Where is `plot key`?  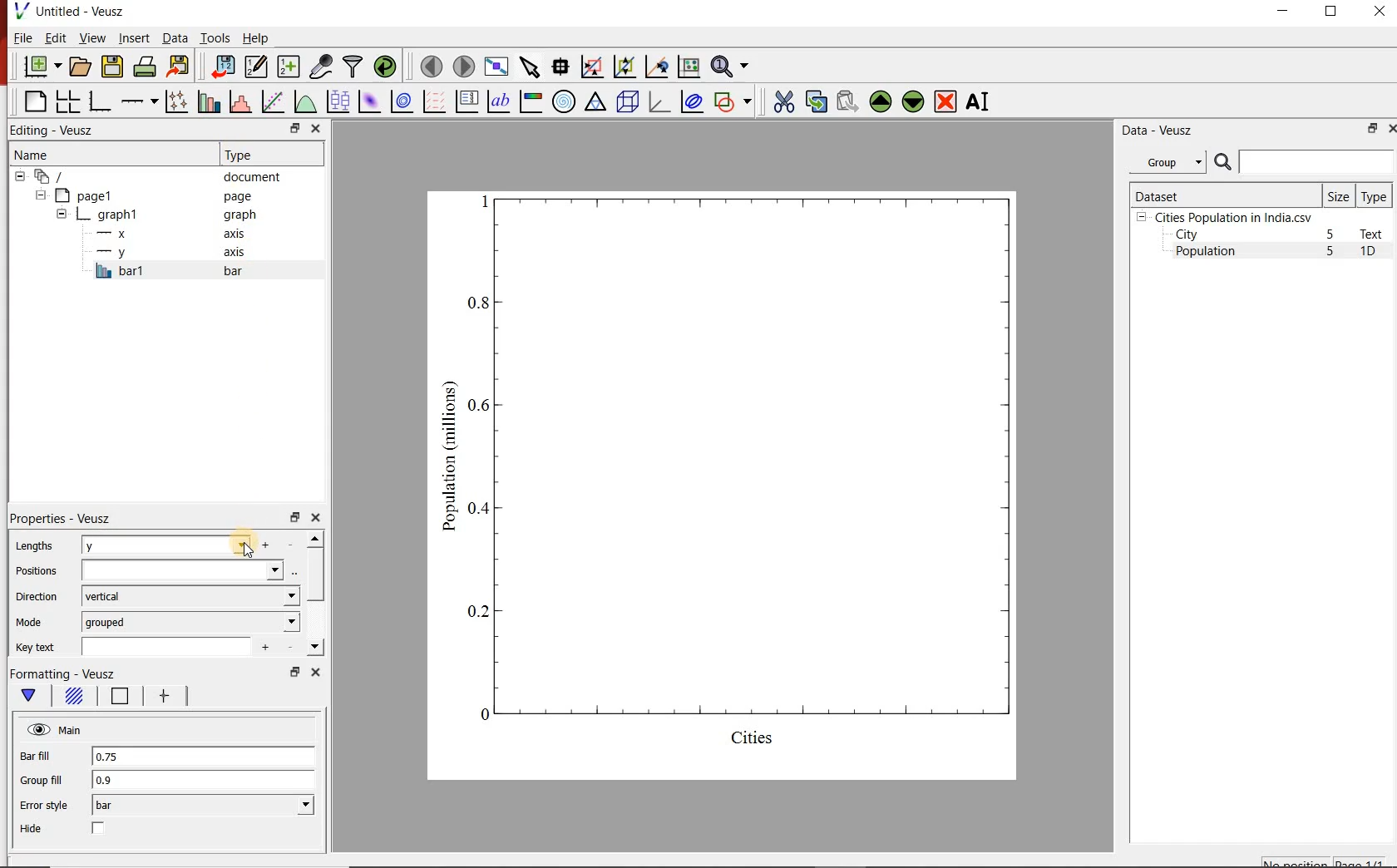
plot key is located at coordinates (466, 101).